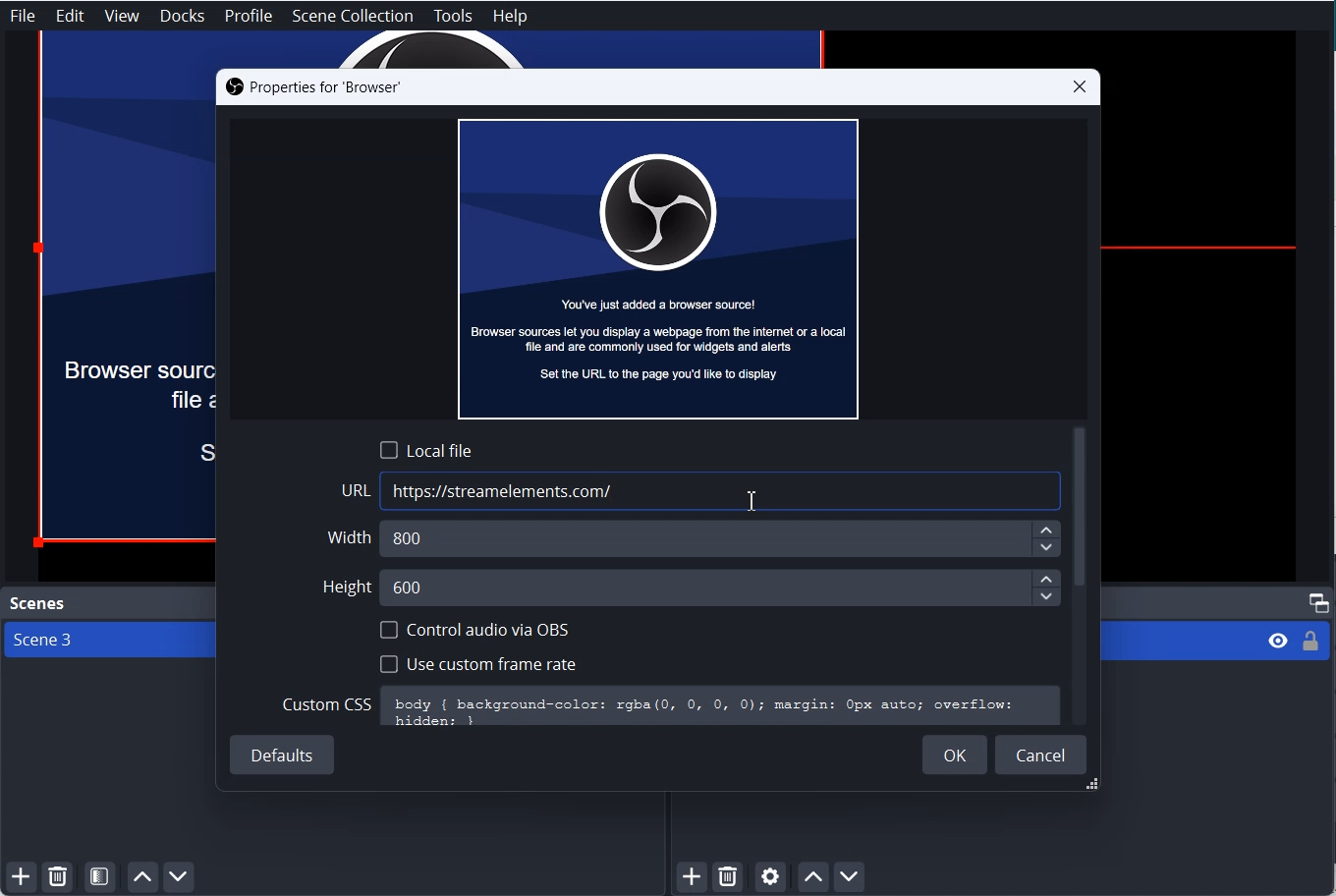  What do you see at coordinates (312, 87) in the screenshot?
I see `Properties of Browser` at bounding box center [312, 87].